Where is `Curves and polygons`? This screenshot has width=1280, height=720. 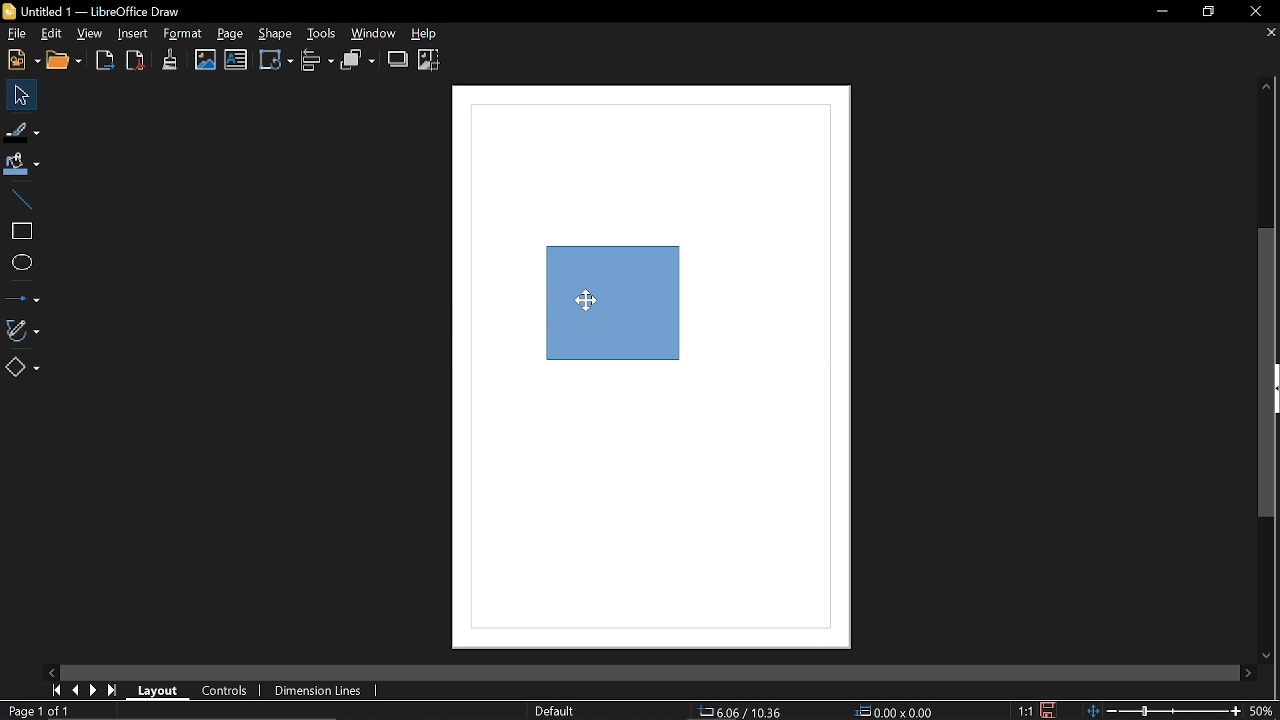
Curves and polygons is located at coordinates (26, 329).